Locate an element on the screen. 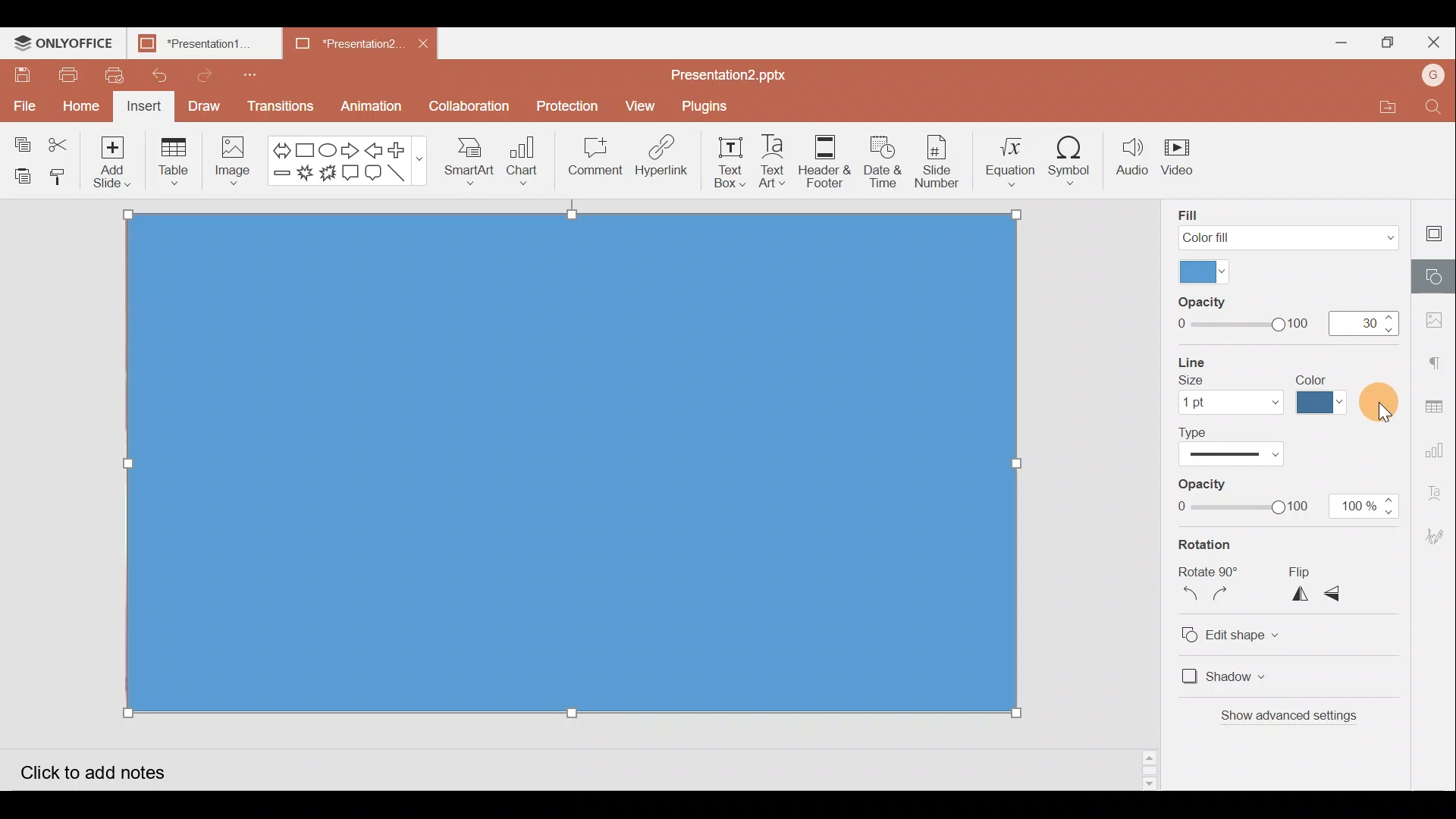  Explosion 2 is located at coordinates (328, 178).